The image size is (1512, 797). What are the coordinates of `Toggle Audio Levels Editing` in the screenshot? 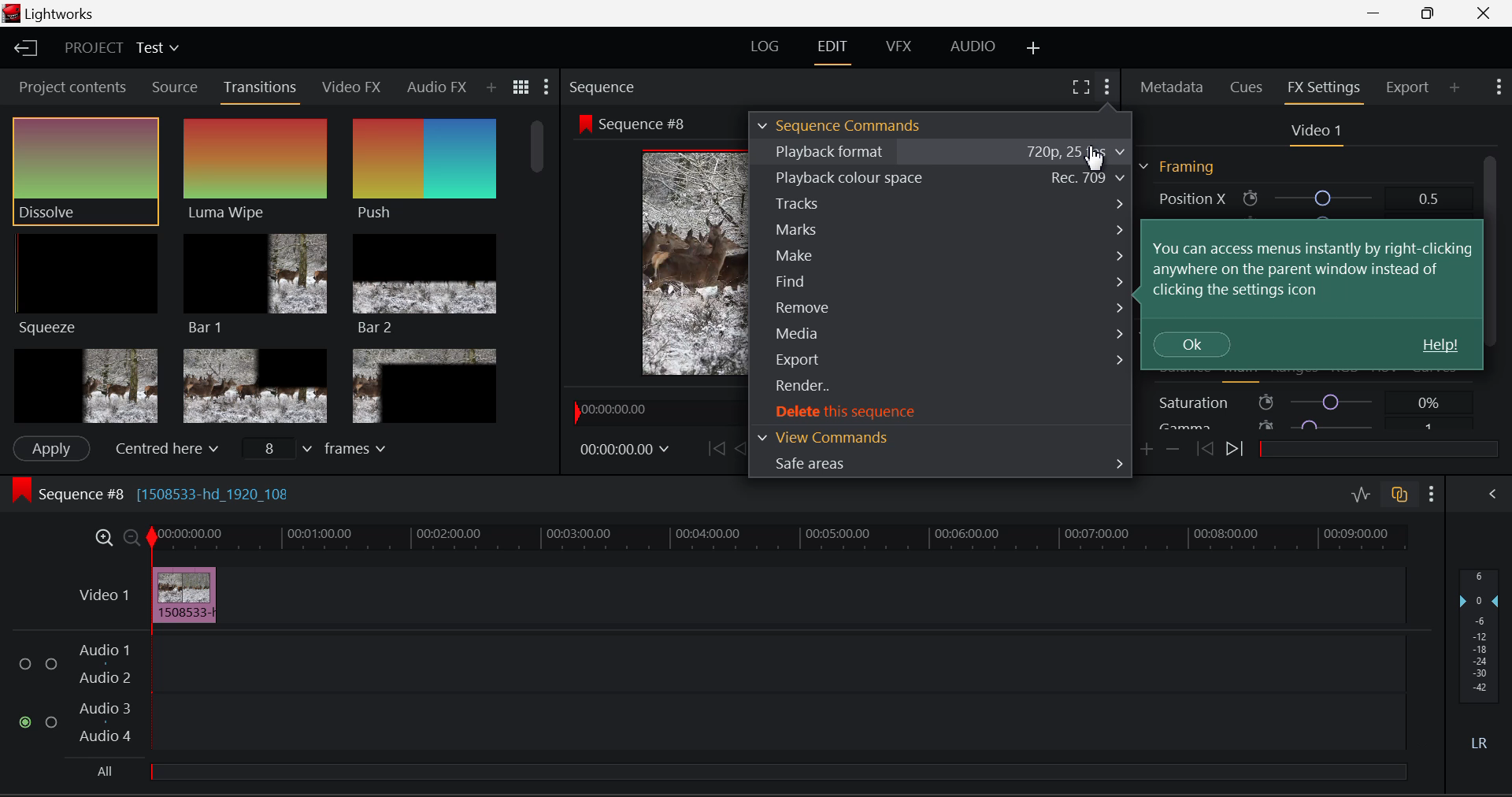 It's located at (1361, 494).